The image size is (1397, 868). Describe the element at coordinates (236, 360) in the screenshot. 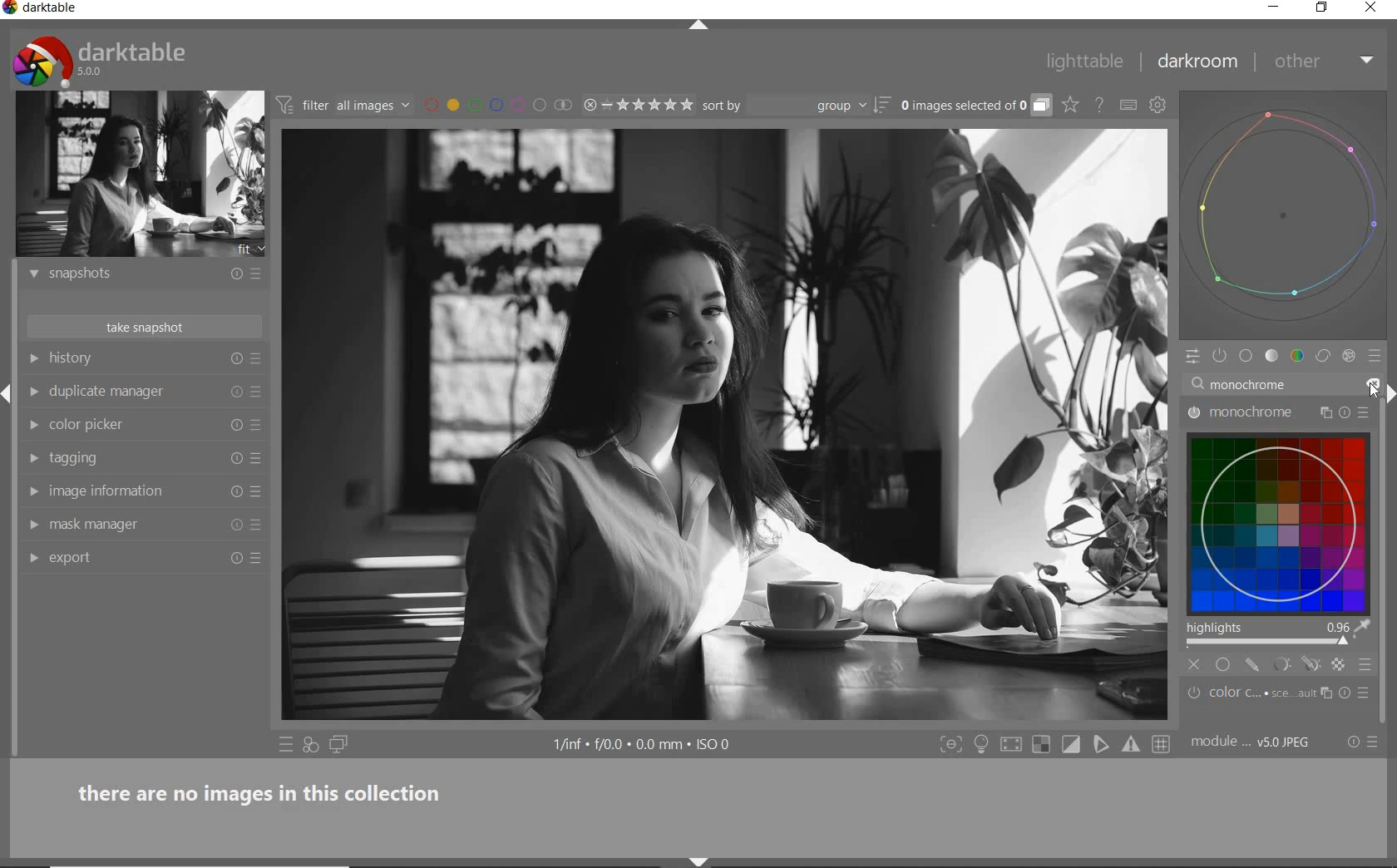

I see `reset` at that location.